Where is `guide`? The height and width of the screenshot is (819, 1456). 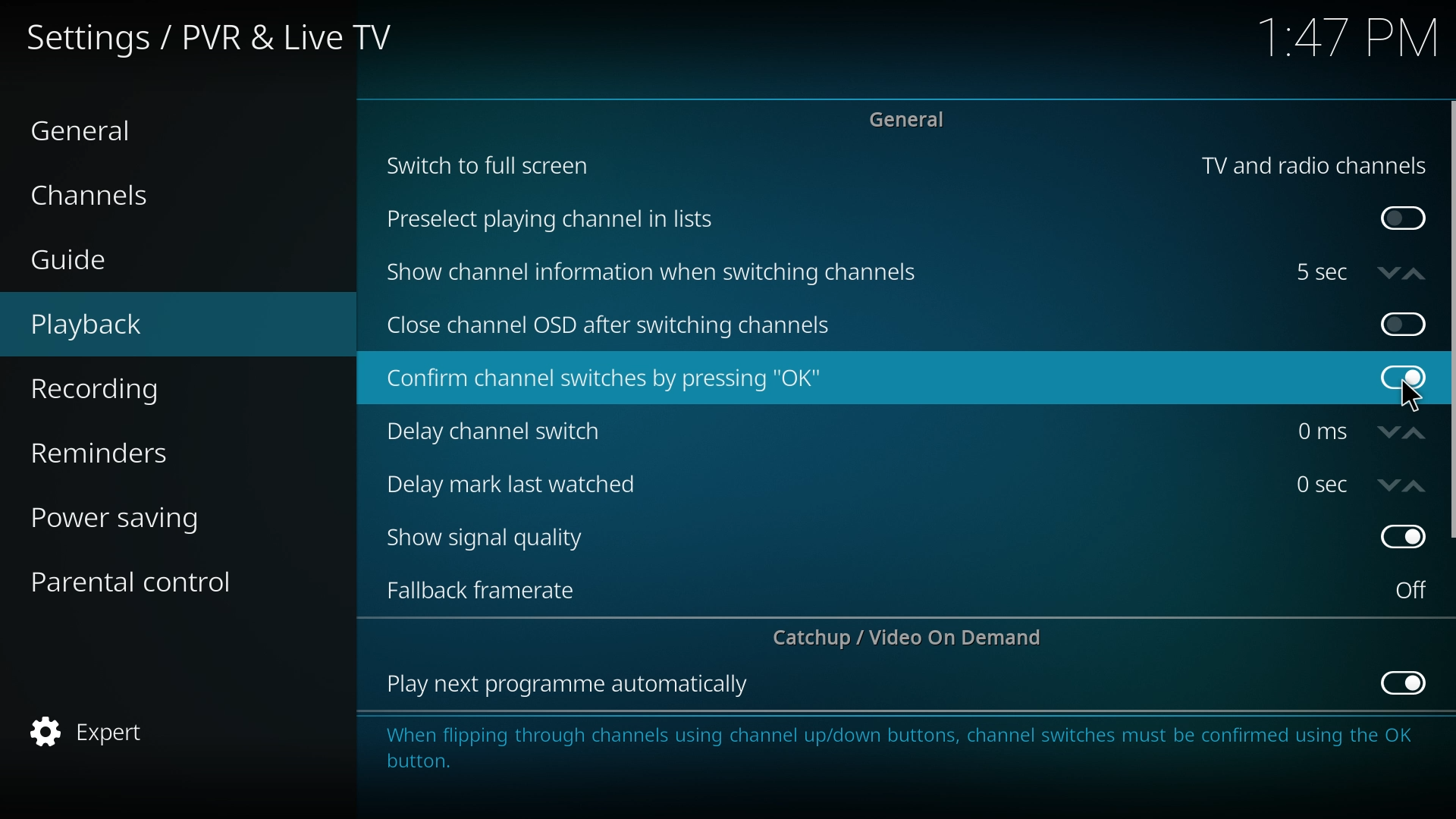
guide is located at coordinates (124, 262).